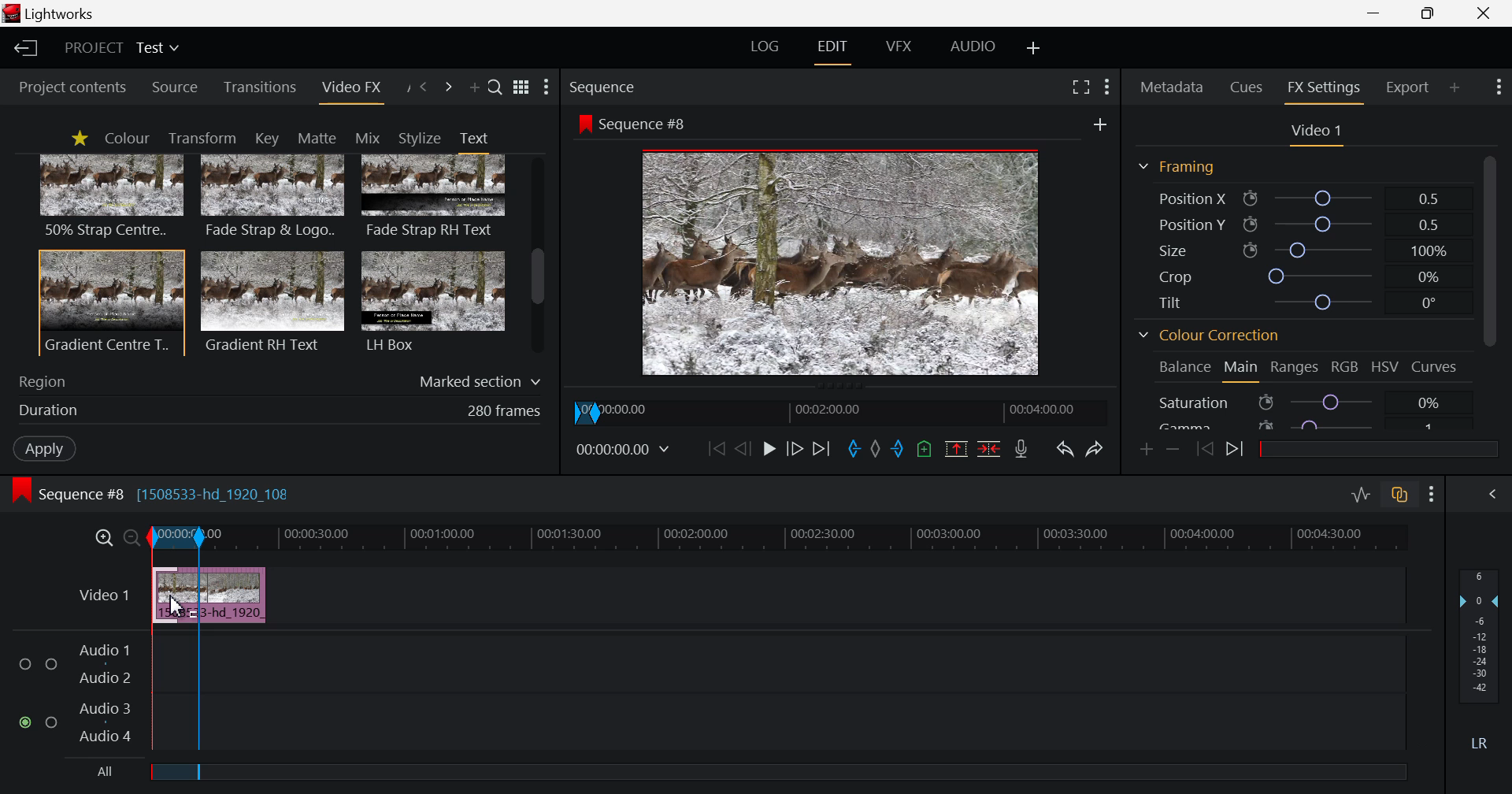 The height and width of the screenshot is (794, 1512). What do you see at coordinates (273, 198) in the screenshot?
I see `Fade Strap & Logo` at bounding box center [273, 198].